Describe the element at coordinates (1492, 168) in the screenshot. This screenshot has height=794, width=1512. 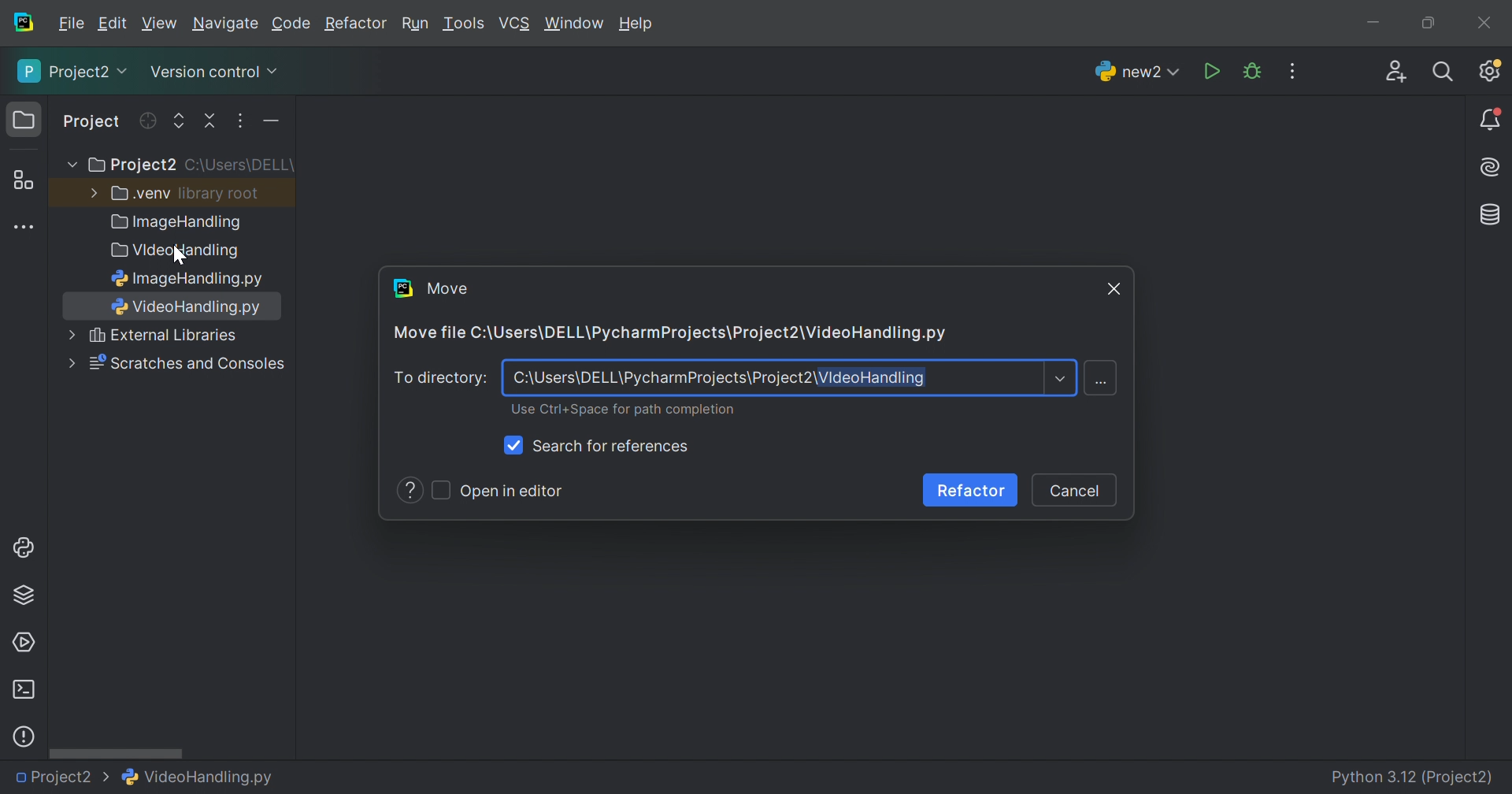
I see `AI Assistant` at that location.